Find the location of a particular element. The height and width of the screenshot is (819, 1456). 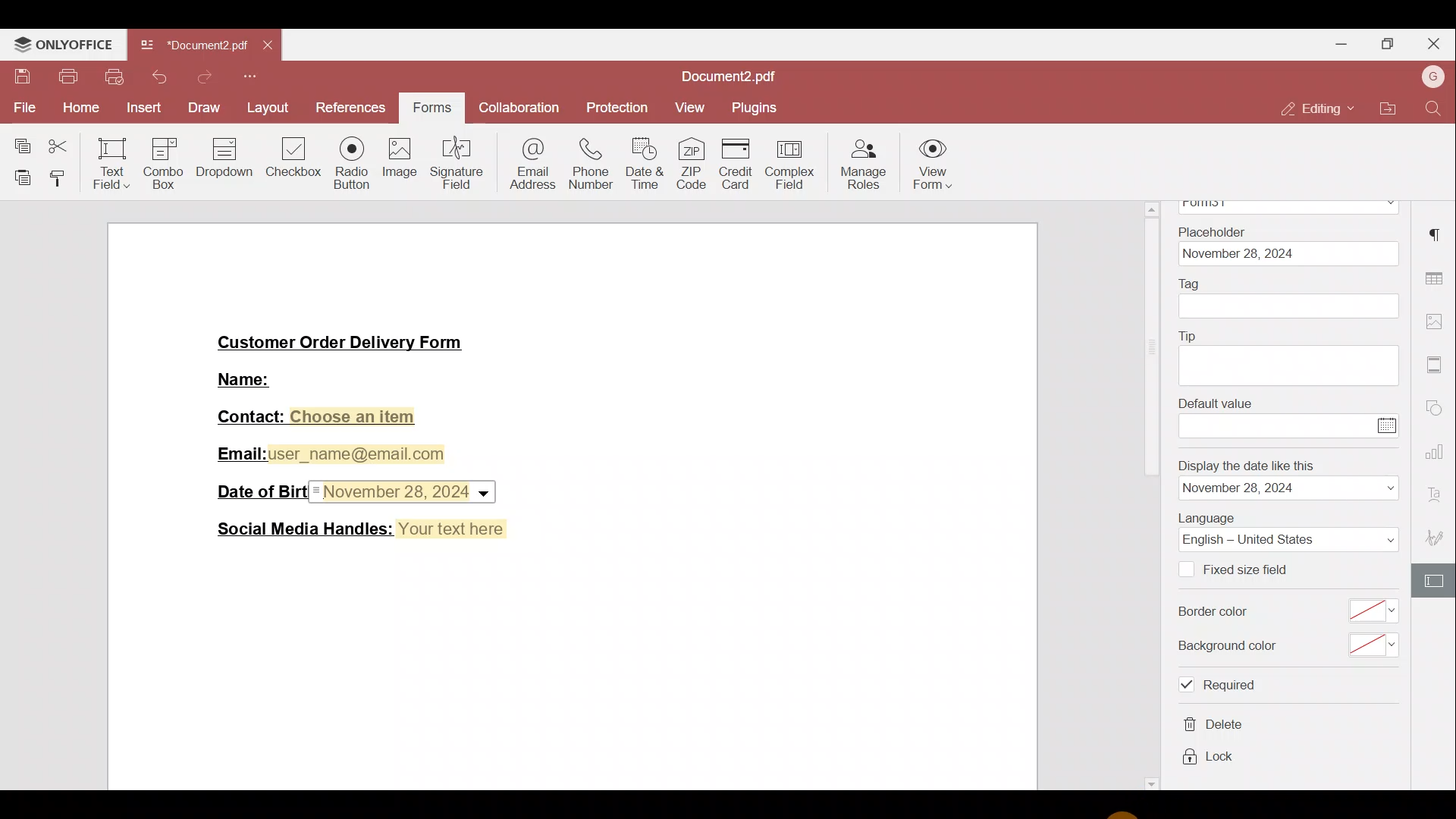

Quick print is located at coordinates (113, 76).